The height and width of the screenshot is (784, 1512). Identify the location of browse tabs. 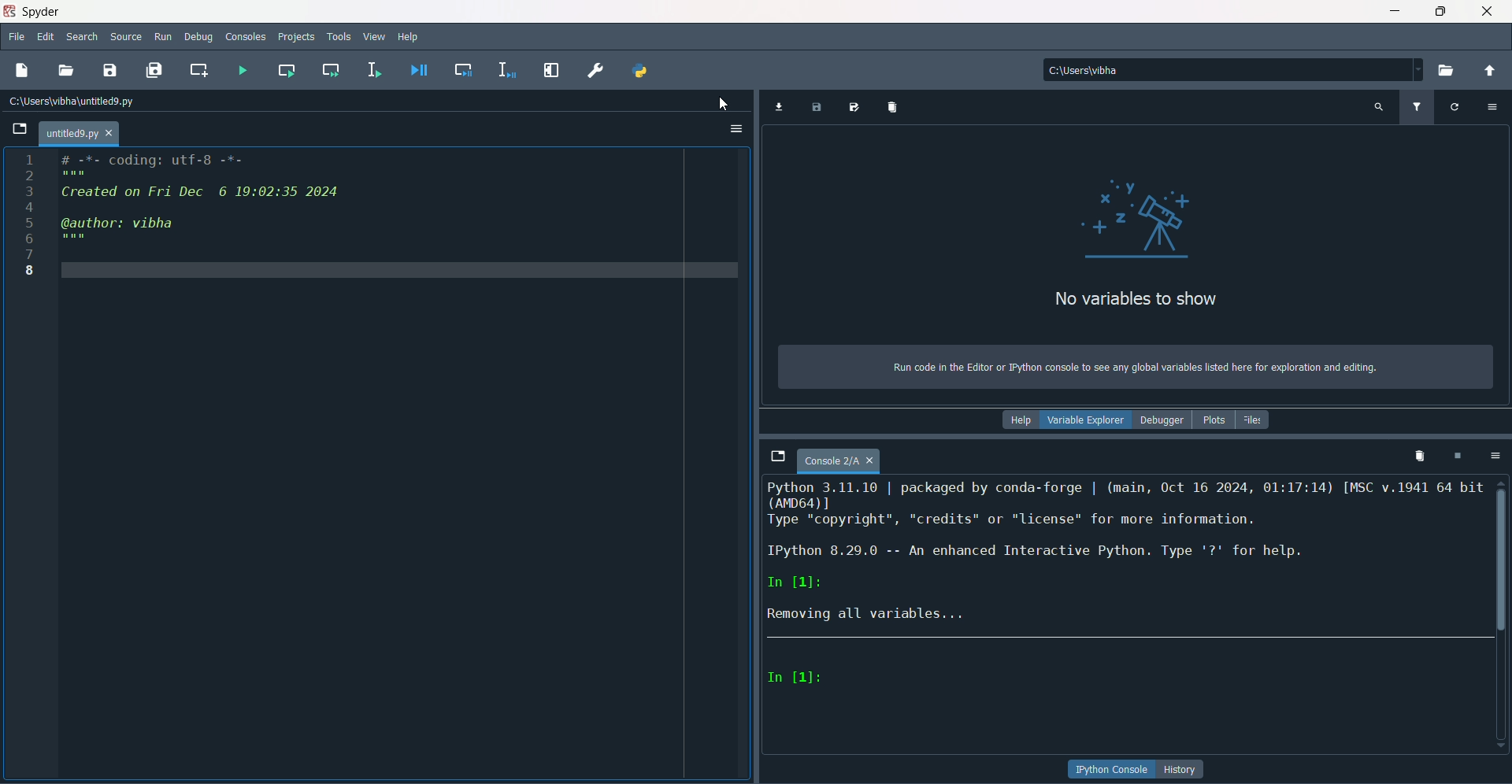
(777, 457).